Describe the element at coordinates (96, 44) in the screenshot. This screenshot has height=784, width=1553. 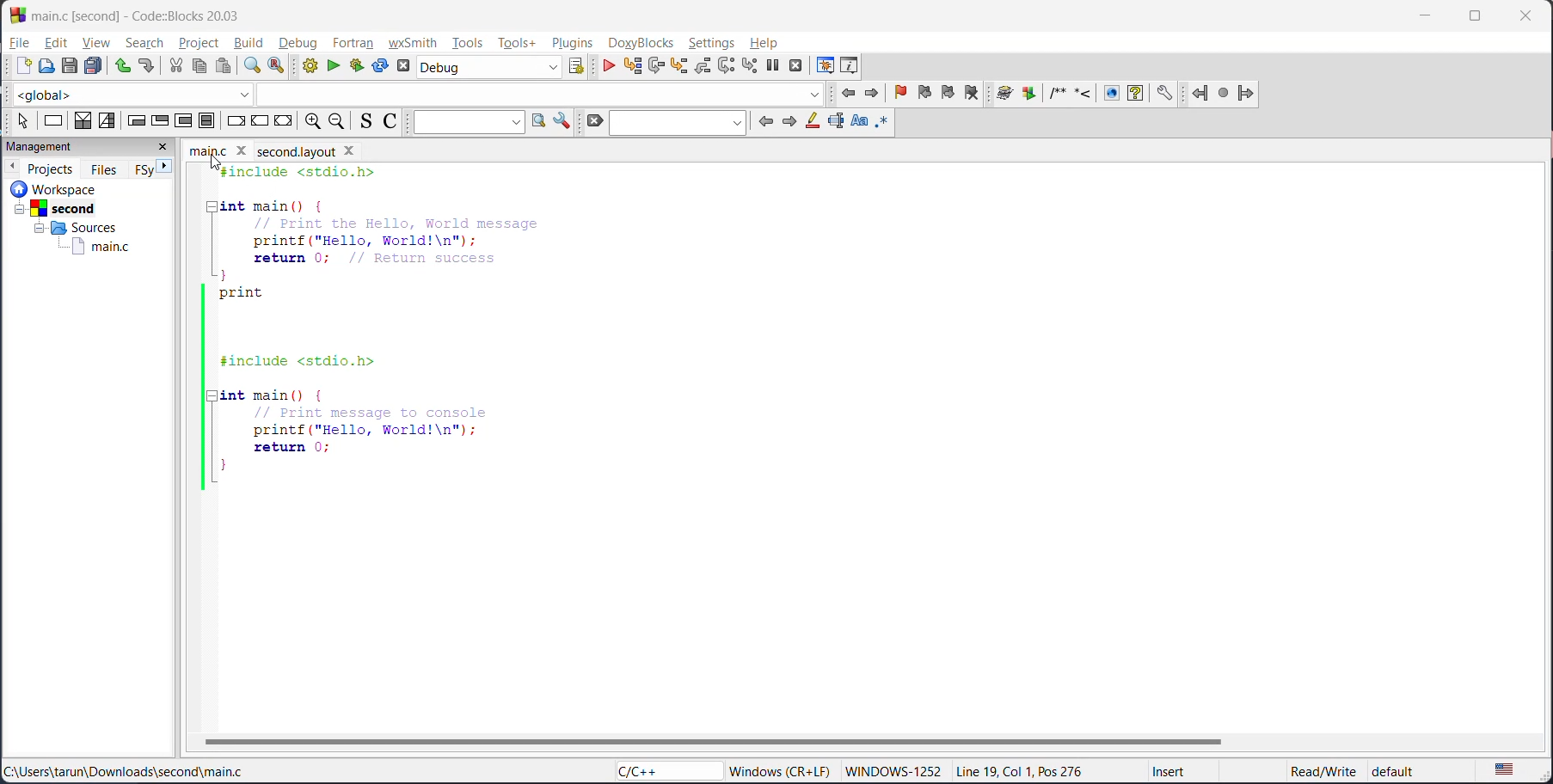
I see `view` at that location.